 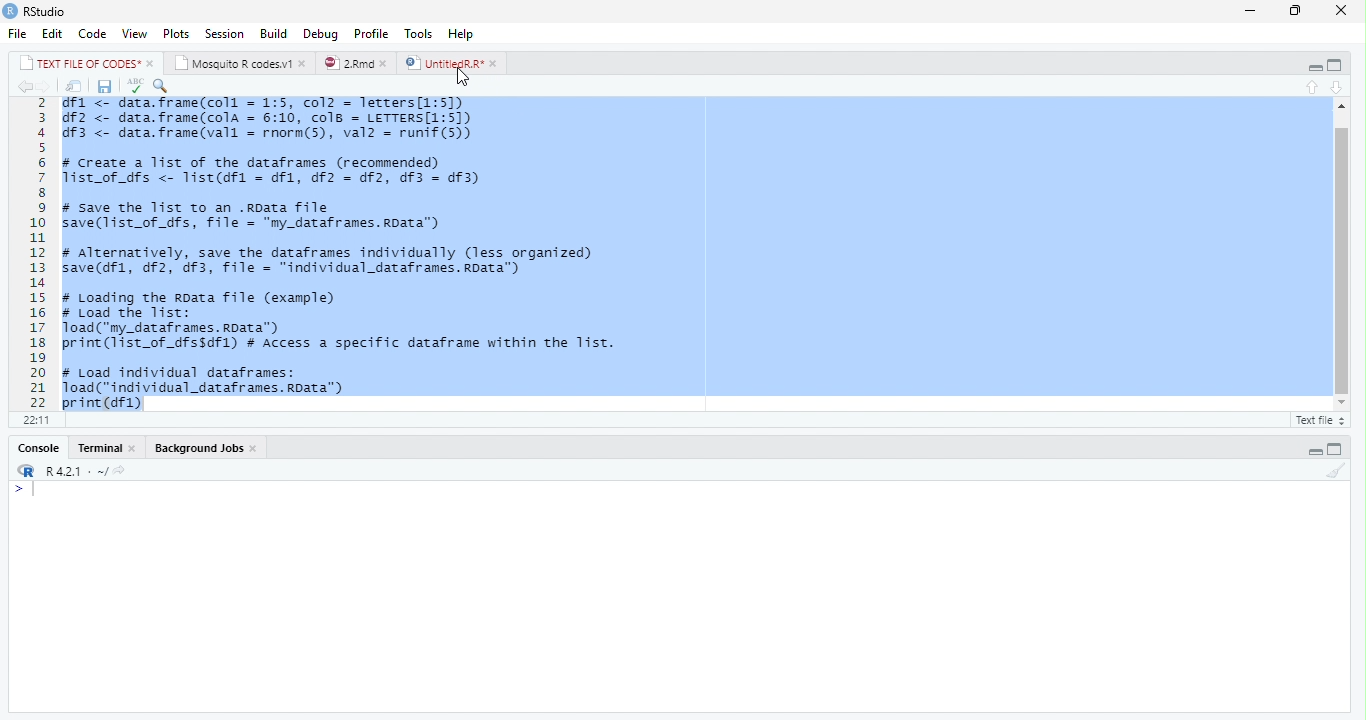 I want to click on Go to previous location, so click(x=22, y=86).